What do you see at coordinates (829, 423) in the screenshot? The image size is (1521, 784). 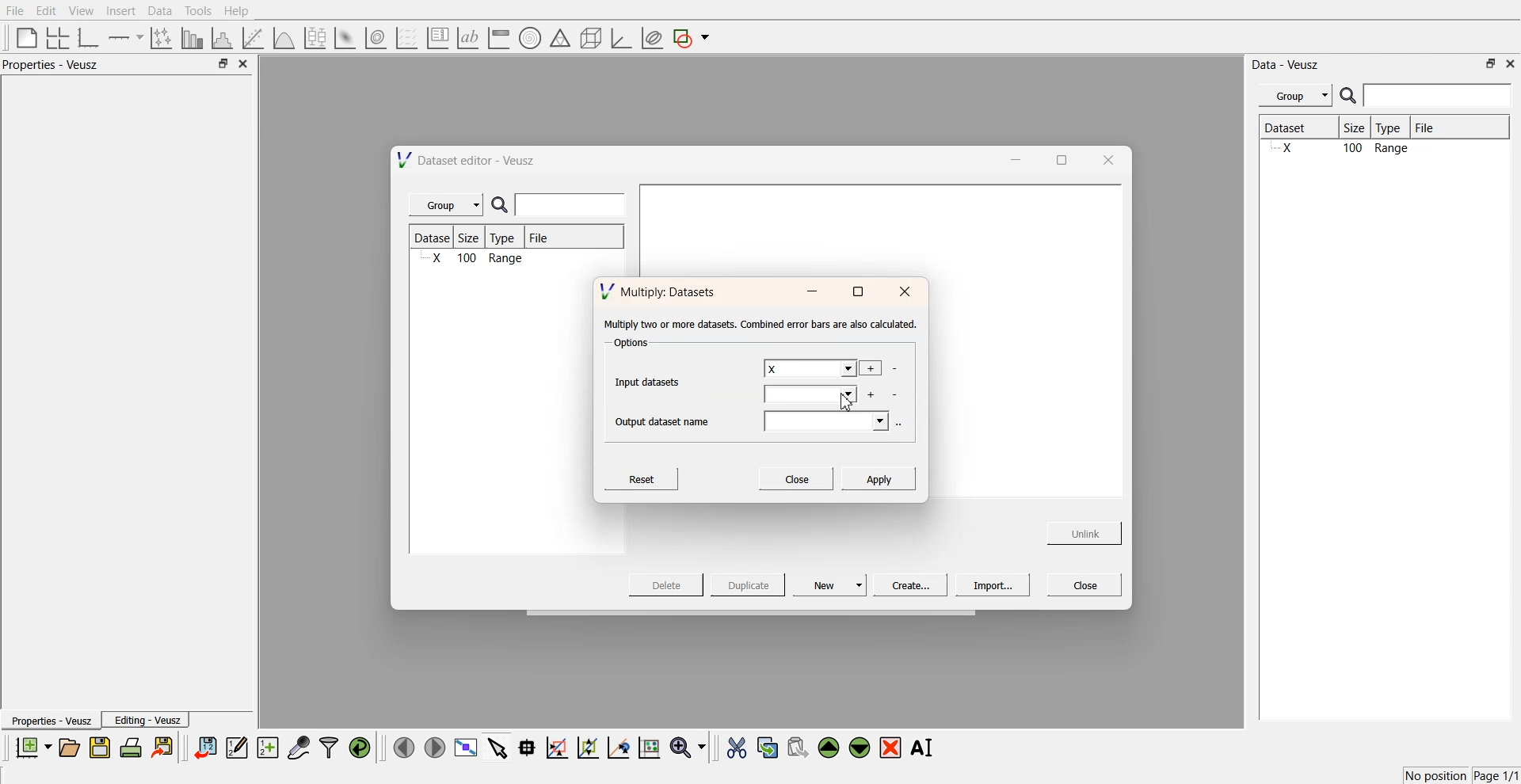 I see `output datasets field` at bounding box center [829, 423].